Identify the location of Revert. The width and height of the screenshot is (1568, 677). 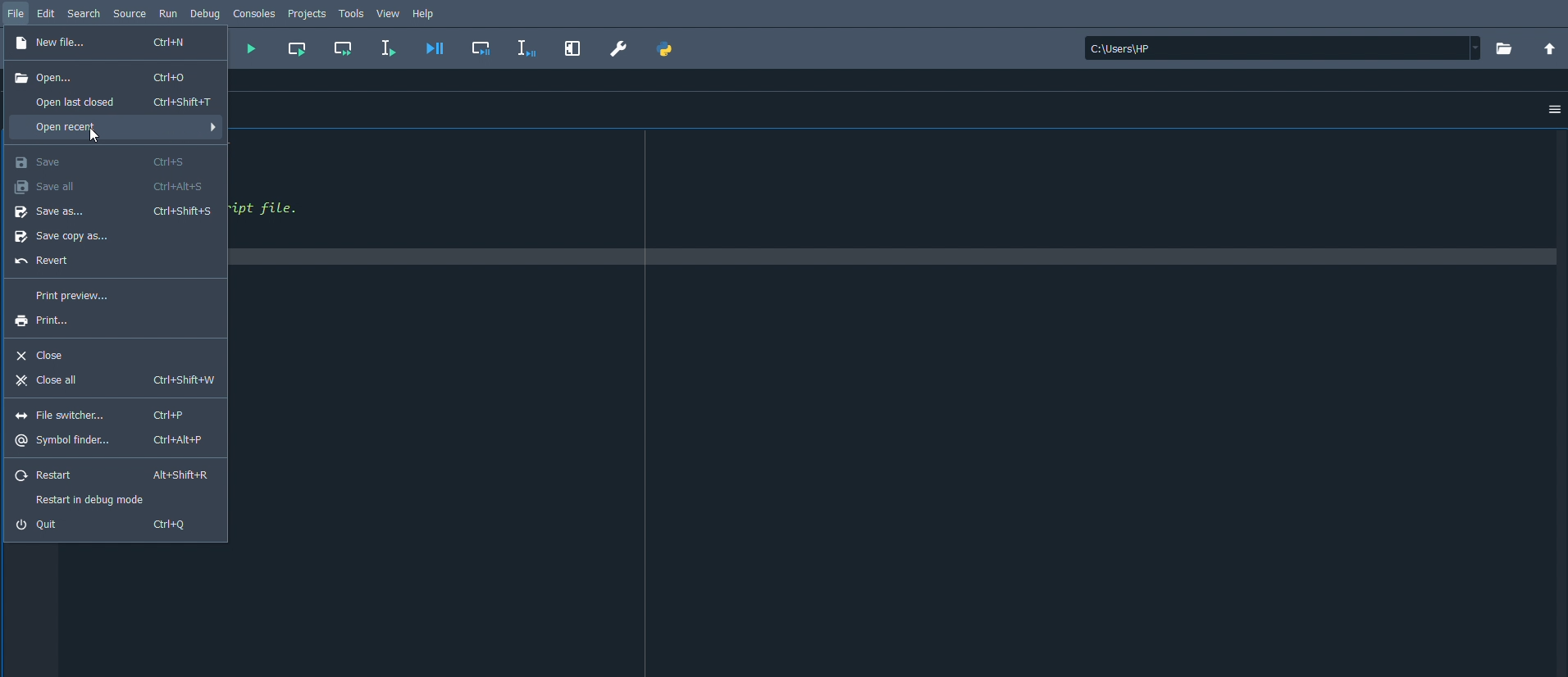
(46, 262).